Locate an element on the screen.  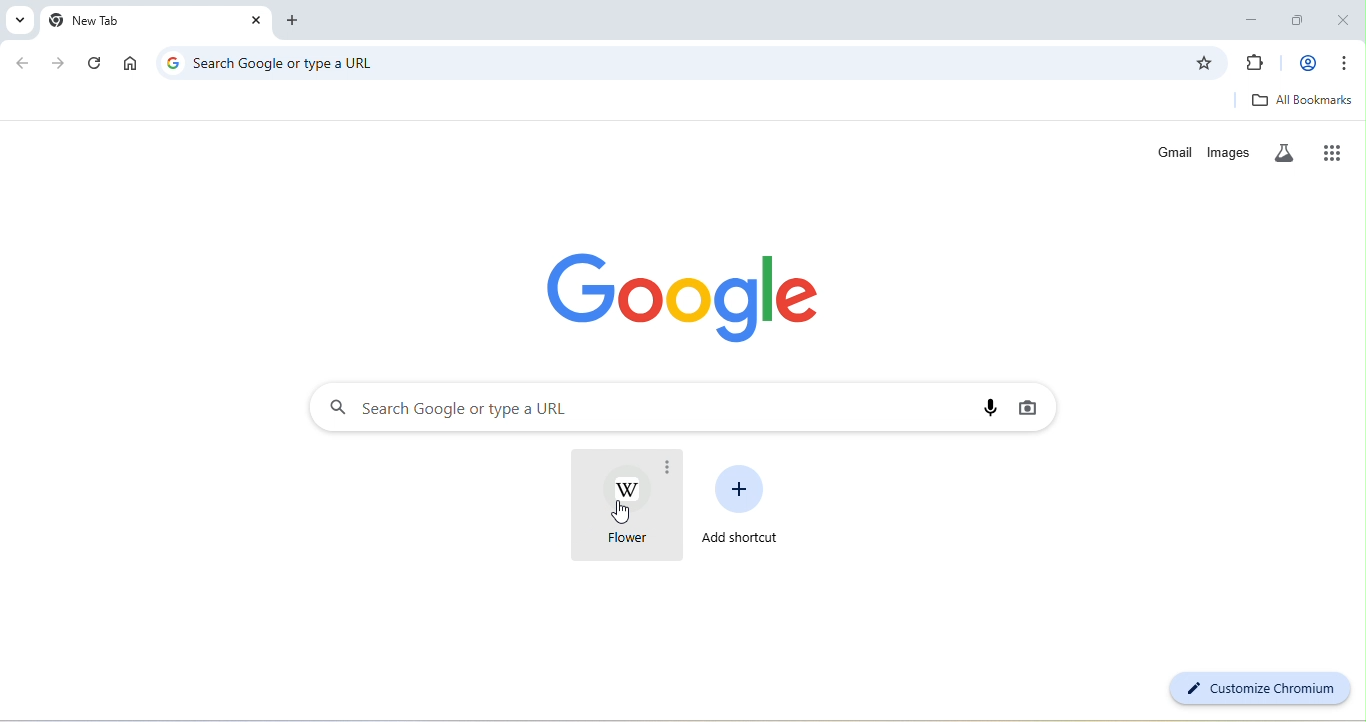
reload the page is located at coordinates (96, 64).